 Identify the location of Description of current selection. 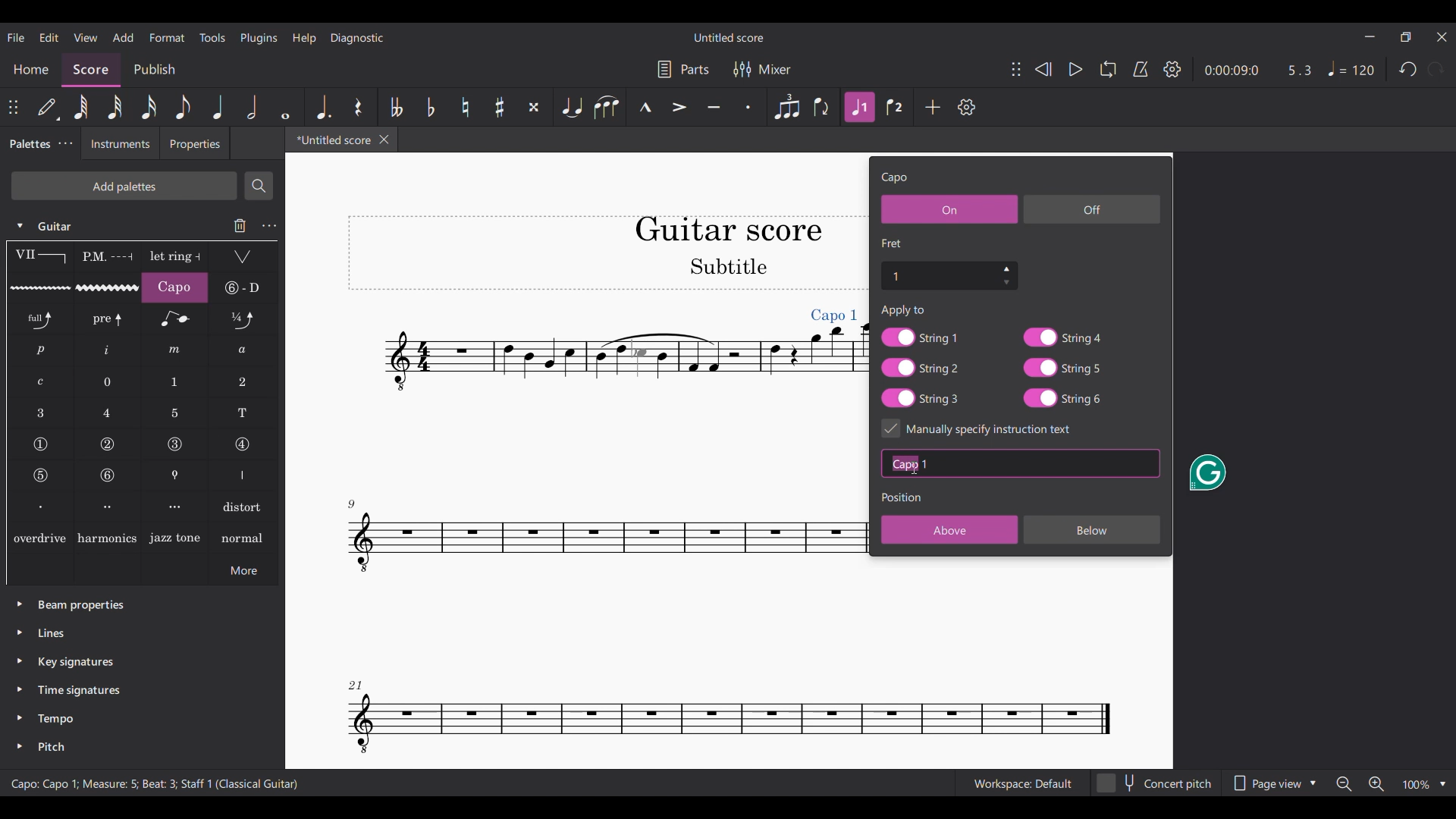
(155, 783).